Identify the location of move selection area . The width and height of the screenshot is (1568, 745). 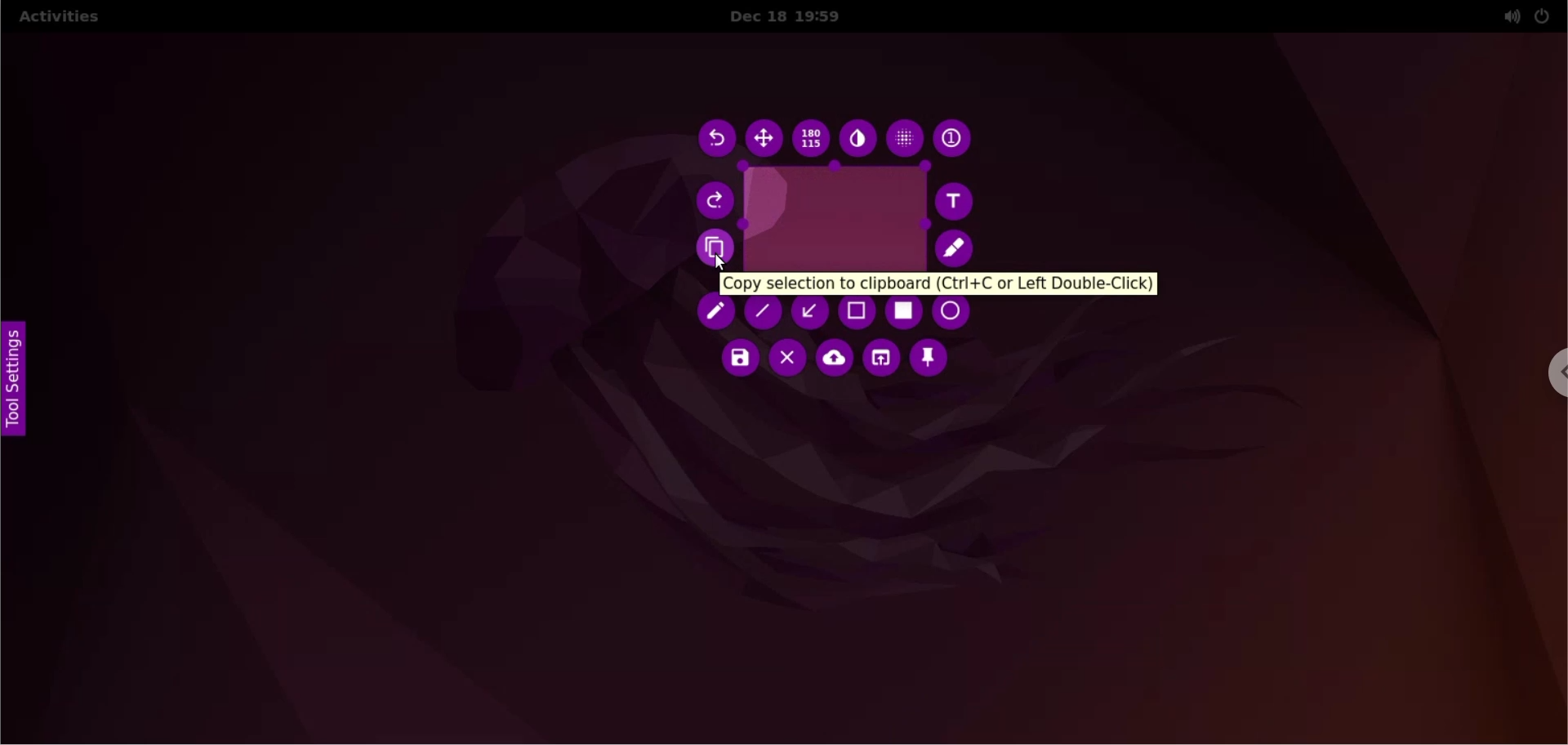
(768, 141).